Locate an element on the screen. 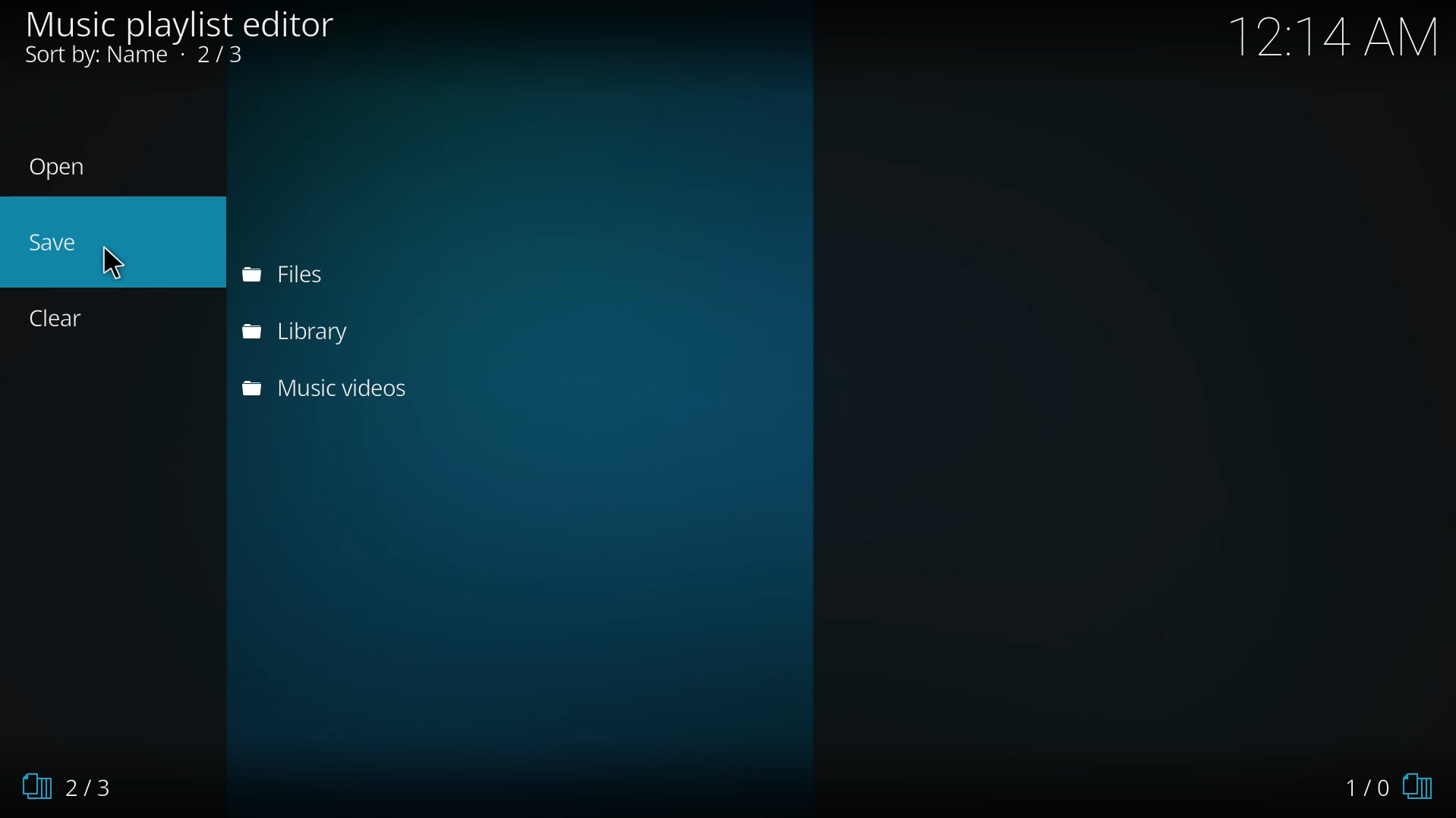  clear is located at coordinates (59, 316).